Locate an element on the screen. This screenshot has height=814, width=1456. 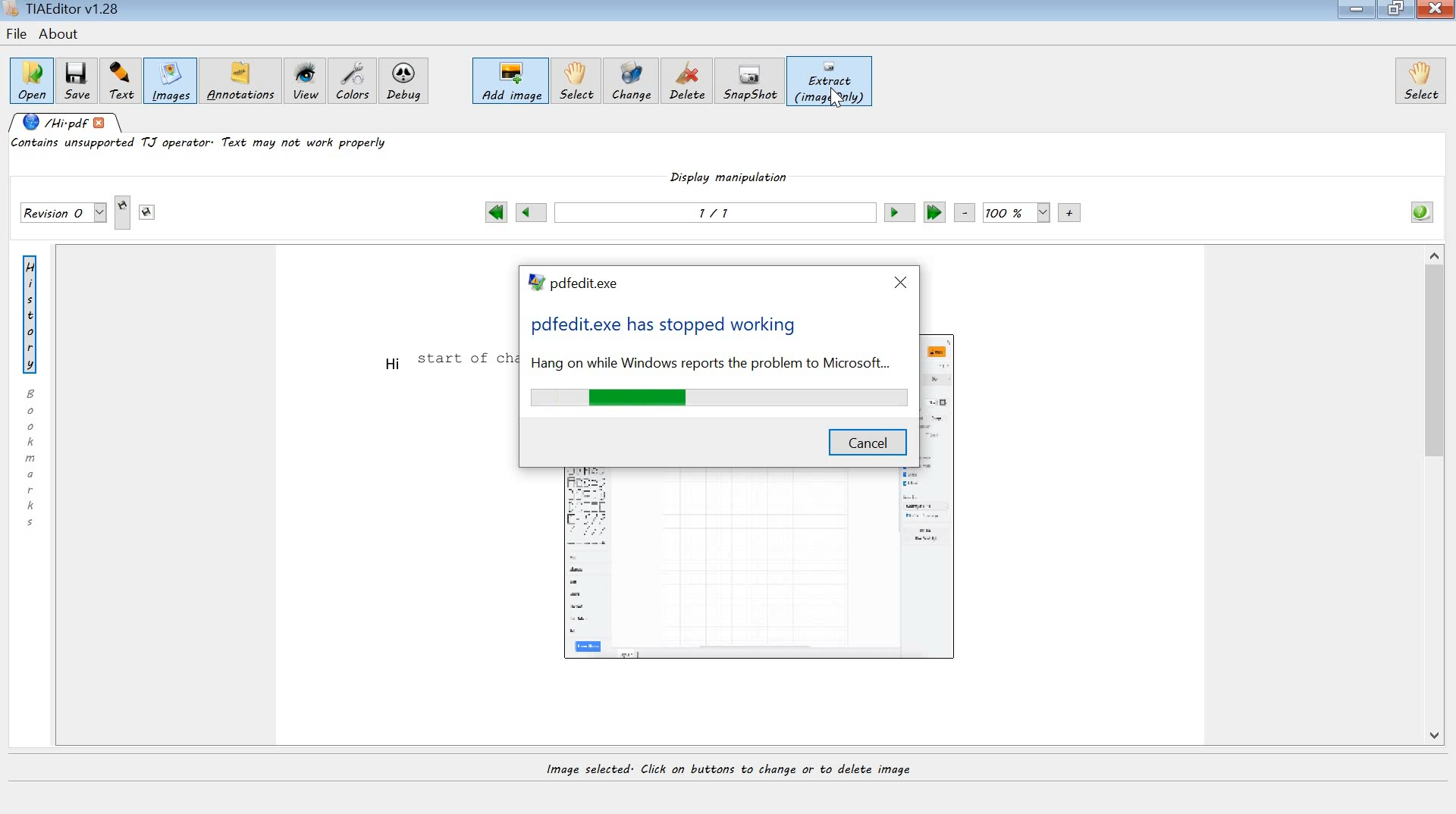
info about opened pdf is located at coordinates (1420, 211).